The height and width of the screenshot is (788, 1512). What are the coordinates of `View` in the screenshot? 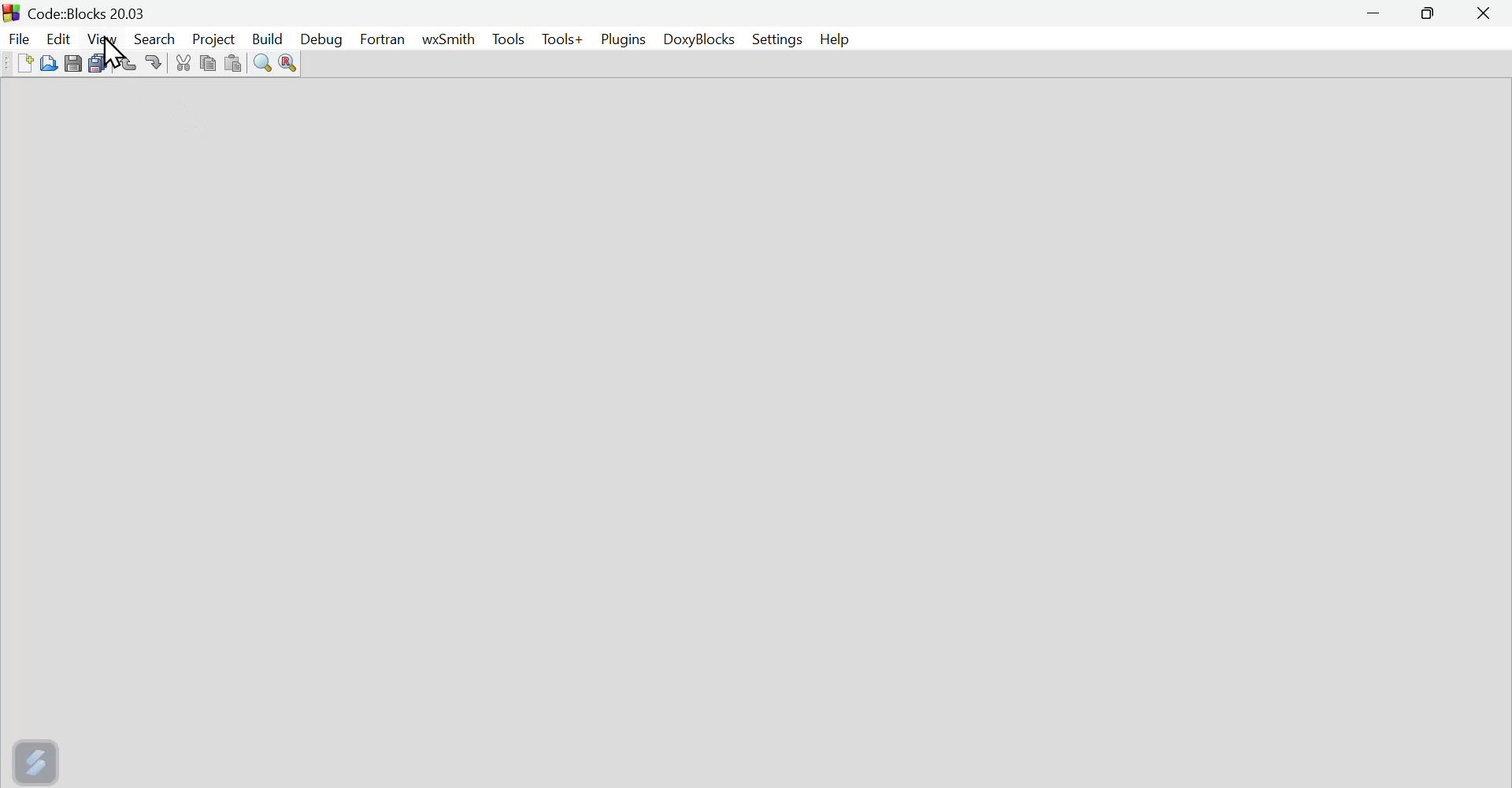 It's located at (103, 36).